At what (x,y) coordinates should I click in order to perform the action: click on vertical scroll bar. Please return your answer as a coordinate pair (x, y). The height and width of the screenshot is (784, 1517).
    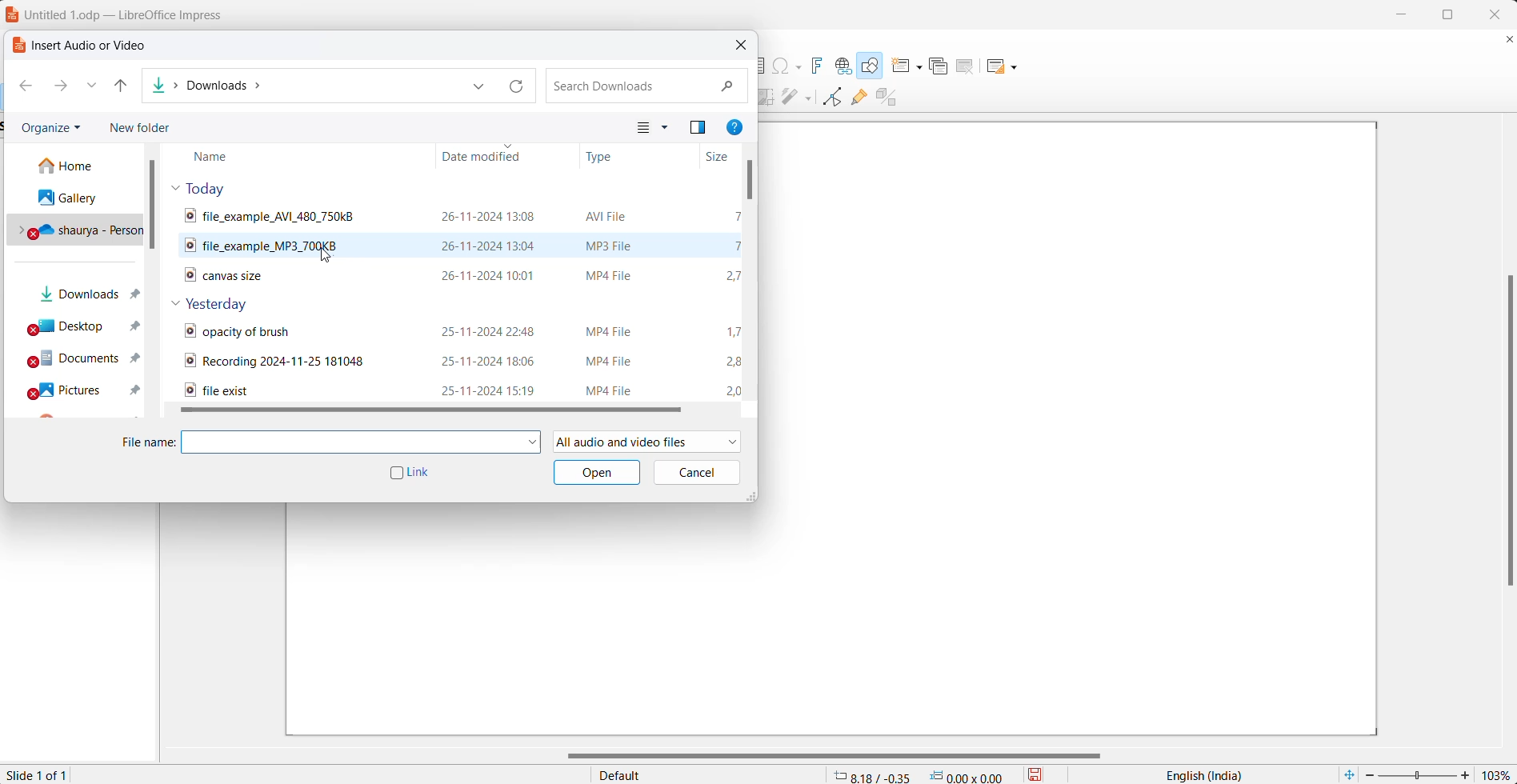
    Looking at the image, I should click on (1505, 428).